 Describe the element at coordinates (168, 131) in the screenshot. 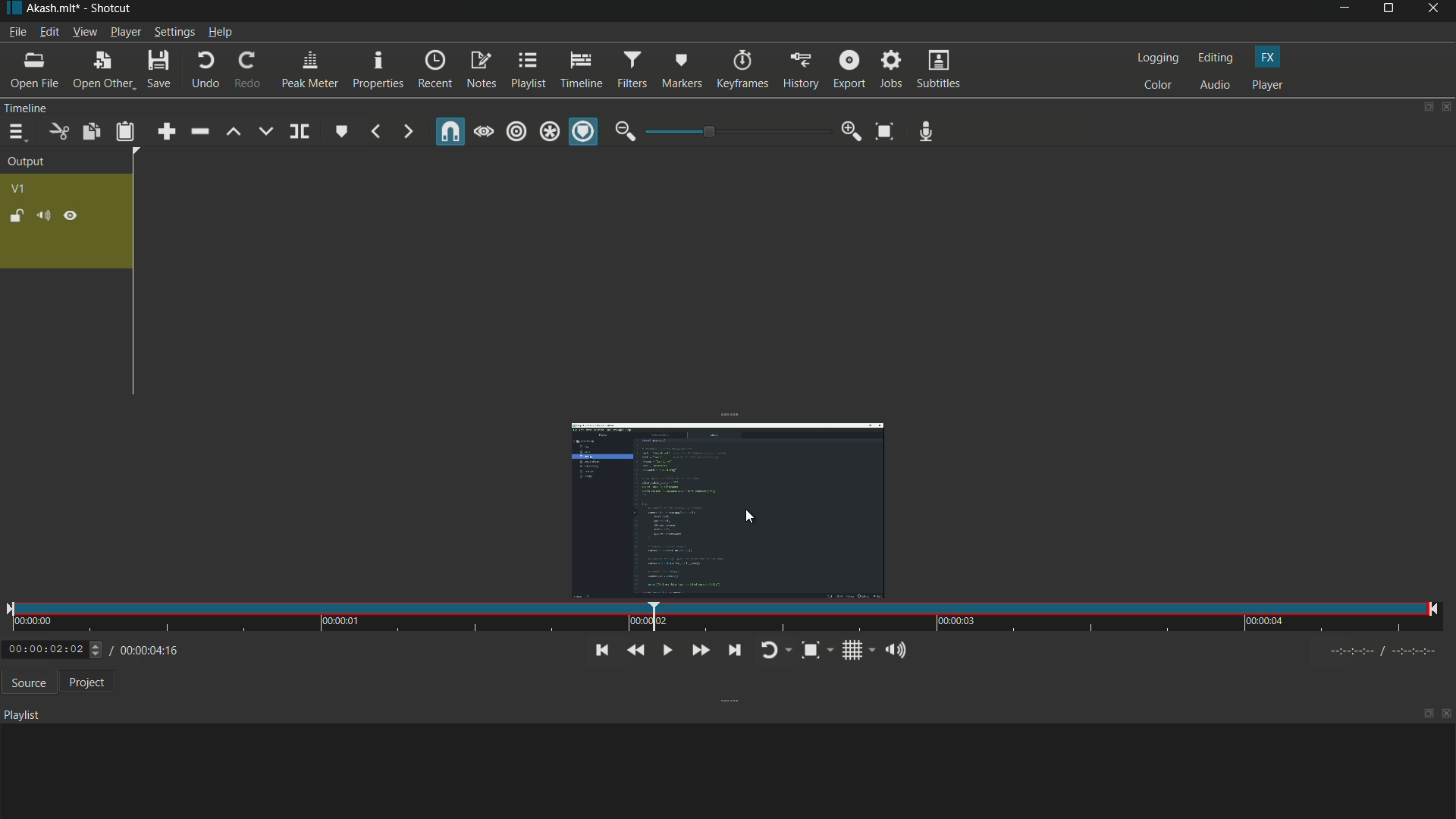

I see `append` at that location.